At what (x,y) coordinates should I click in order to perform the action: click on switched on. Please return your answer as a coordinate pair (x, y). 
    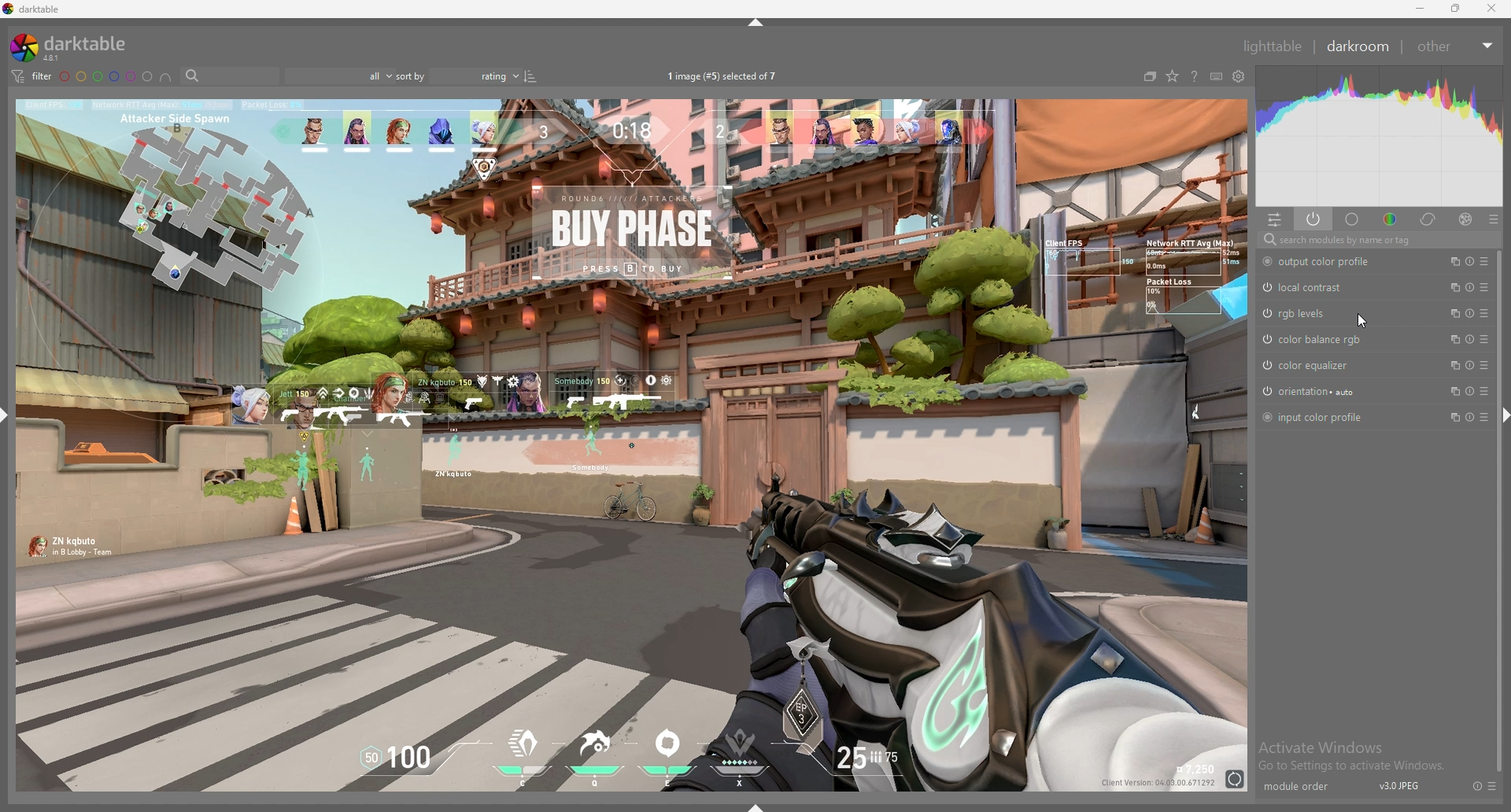
    Looking at the image, I should click on (1266, 415).